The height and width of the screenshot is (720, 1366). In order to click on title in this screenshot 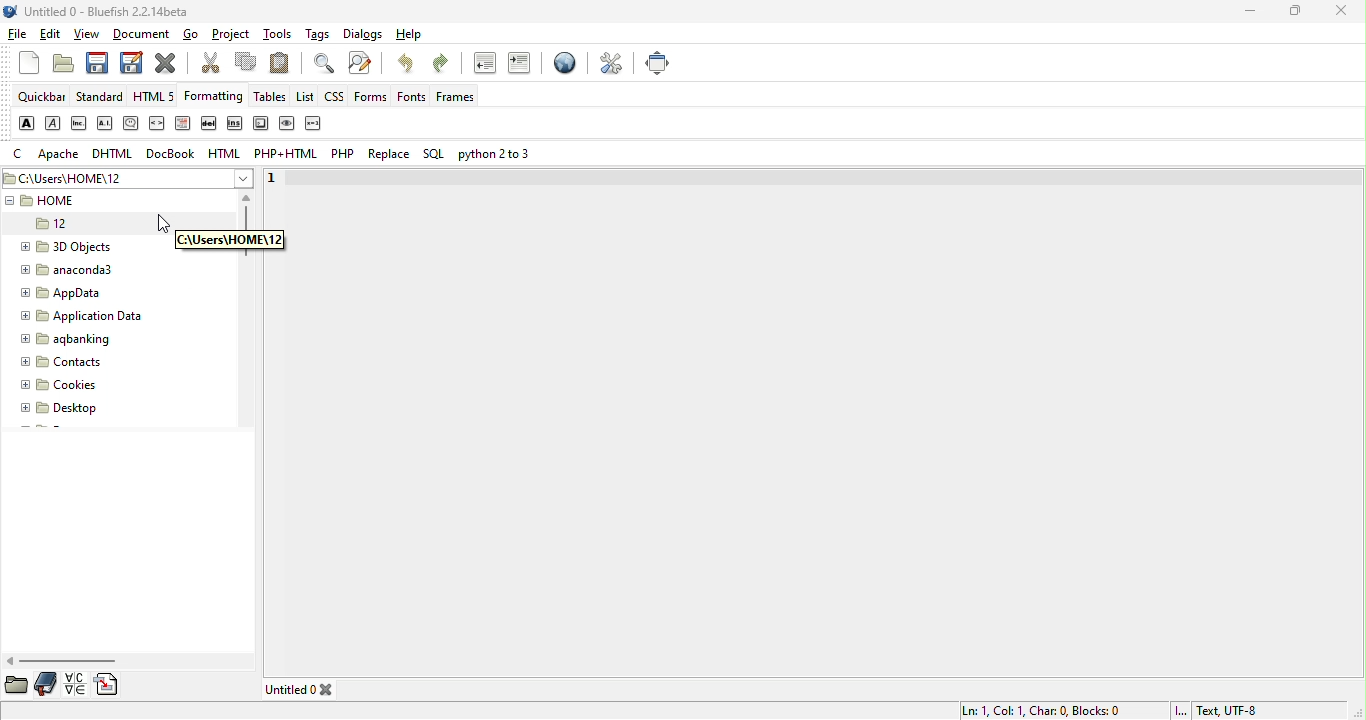, I will do `click(100, 15)`.